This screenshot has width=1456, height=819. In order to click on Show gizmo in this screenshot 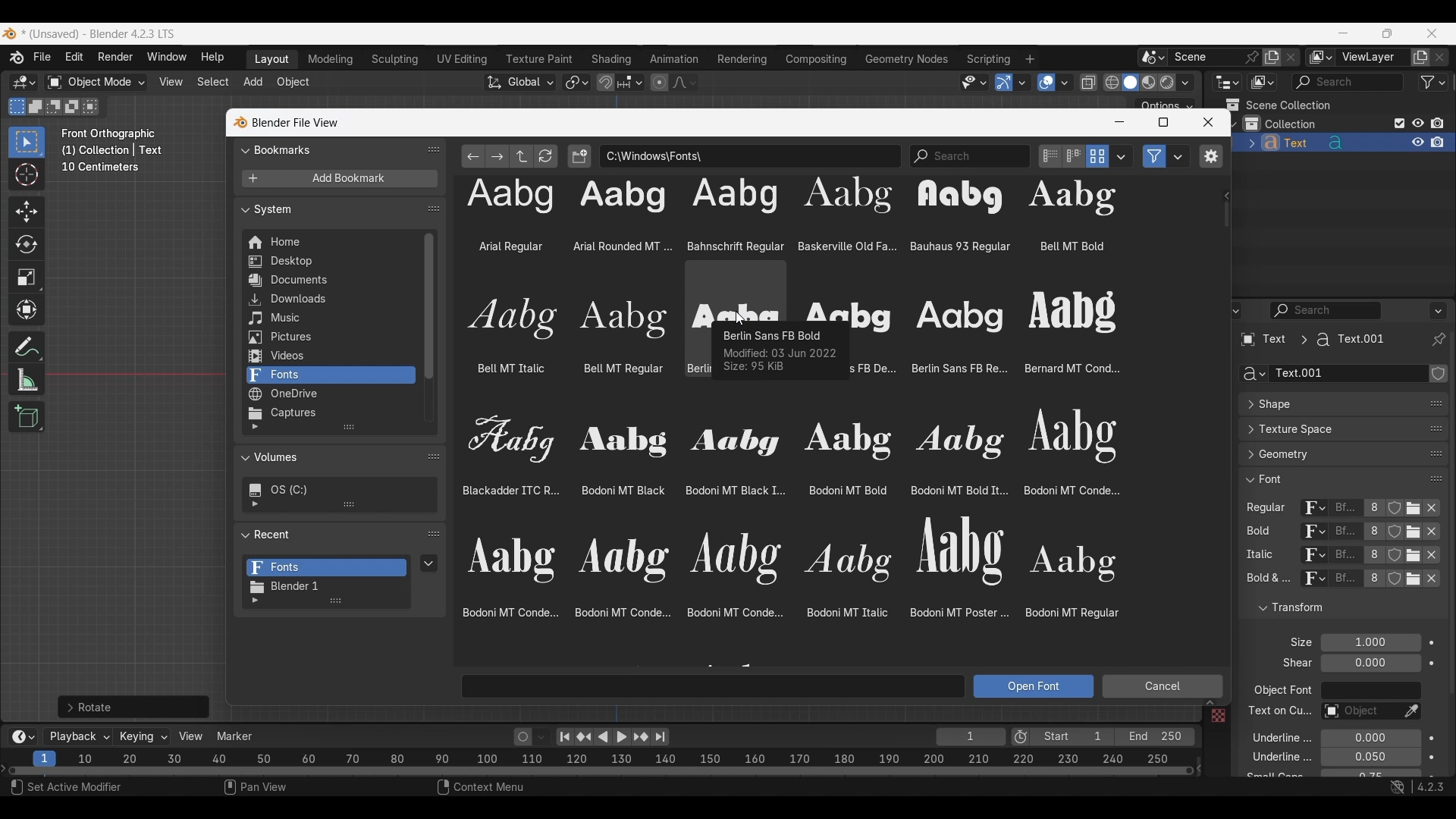, I will do `click(1004, 83)`.